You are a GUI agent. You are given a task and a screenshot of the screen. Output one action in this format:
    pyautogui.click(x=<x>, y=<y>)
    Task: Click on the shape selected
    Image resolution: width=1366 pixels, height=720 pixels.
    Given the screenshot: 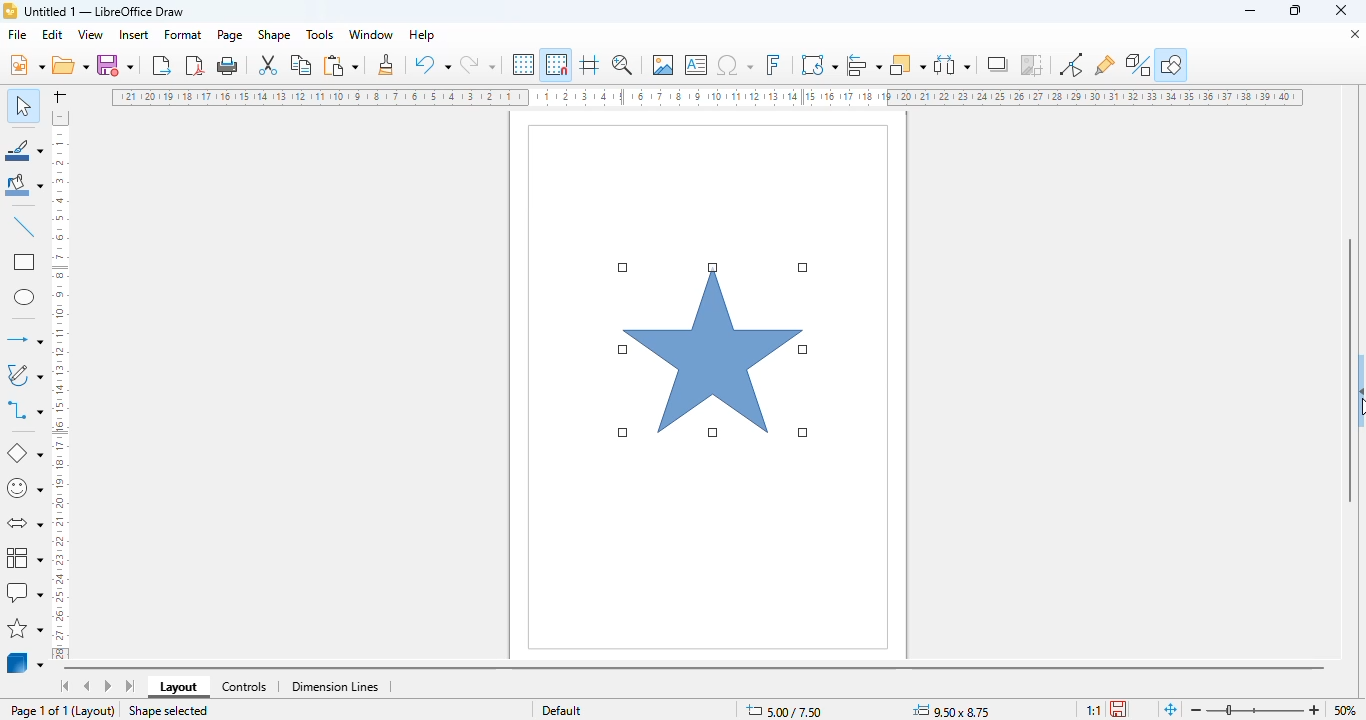 What is the action you would take?
    pyautogui.click(x=169, y=710)
    